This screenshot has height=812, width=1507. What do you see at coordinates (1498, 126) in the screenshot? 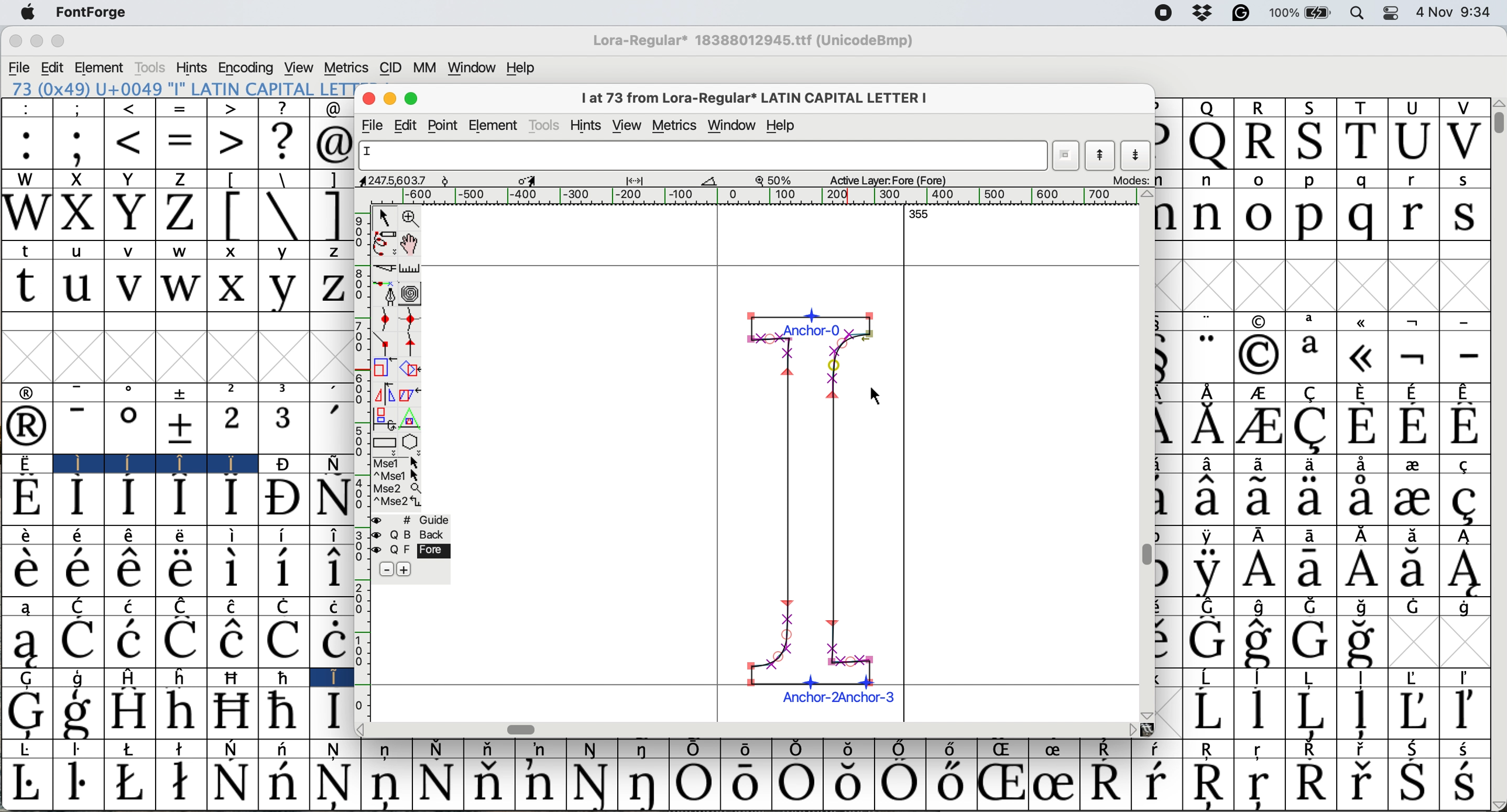
I see `vertical scroll bar` at bounding box center [1498, 126].